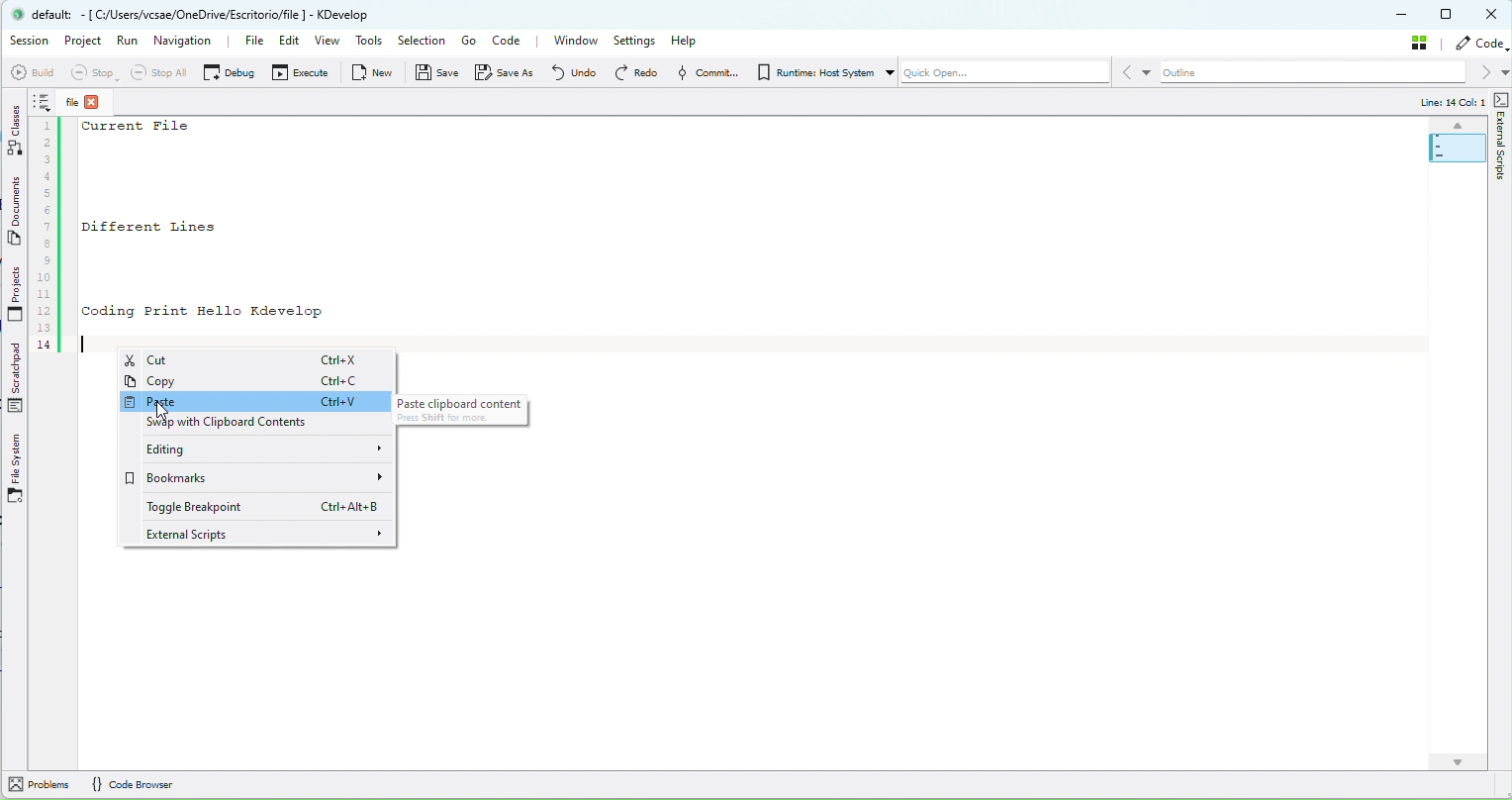  I want to click on Projects, so click(16, 296).